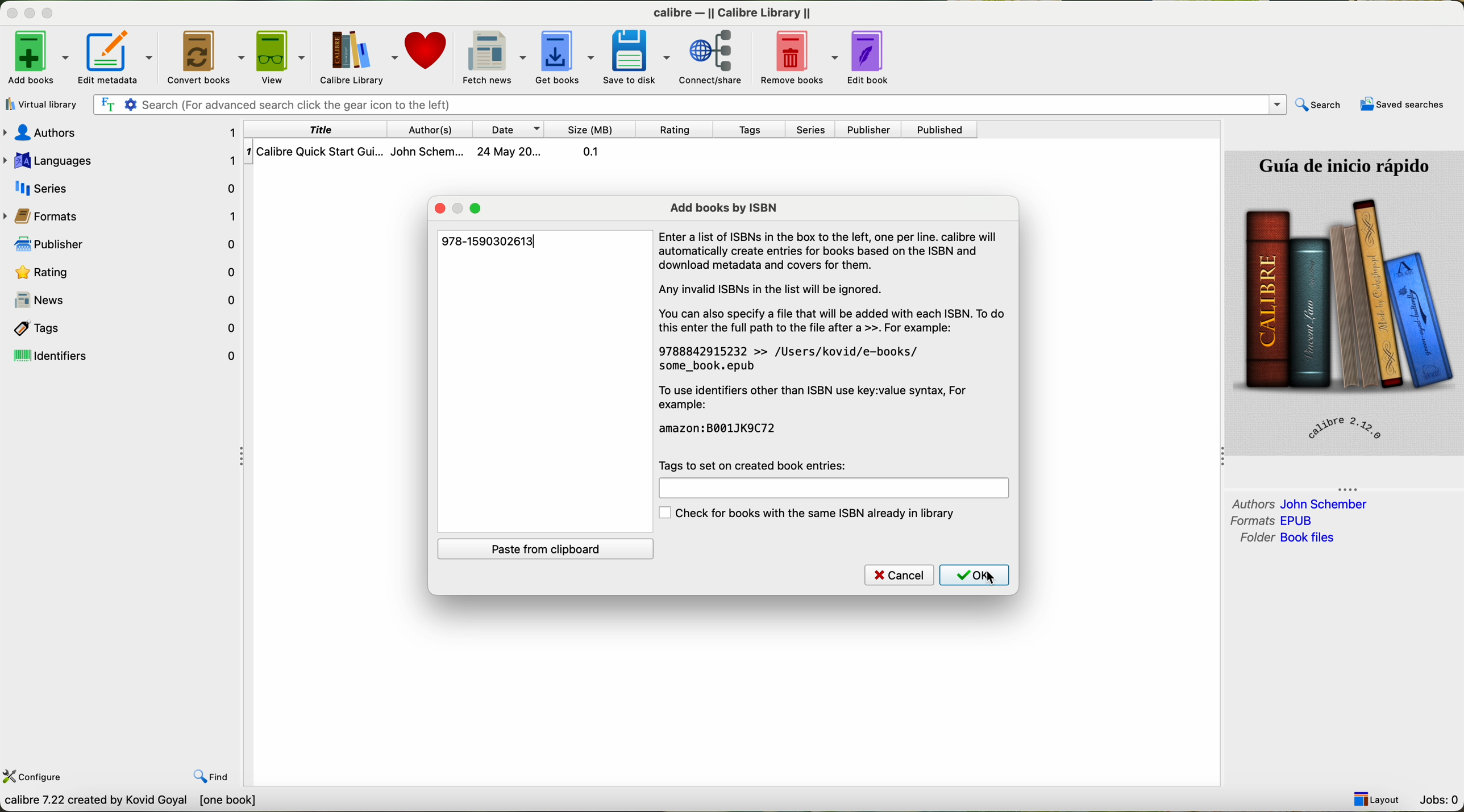 This screenshot has width=1464, height=812. Describe the element at coordinates (1401, 106) in the screenshot. I see `saved searches` at that location.